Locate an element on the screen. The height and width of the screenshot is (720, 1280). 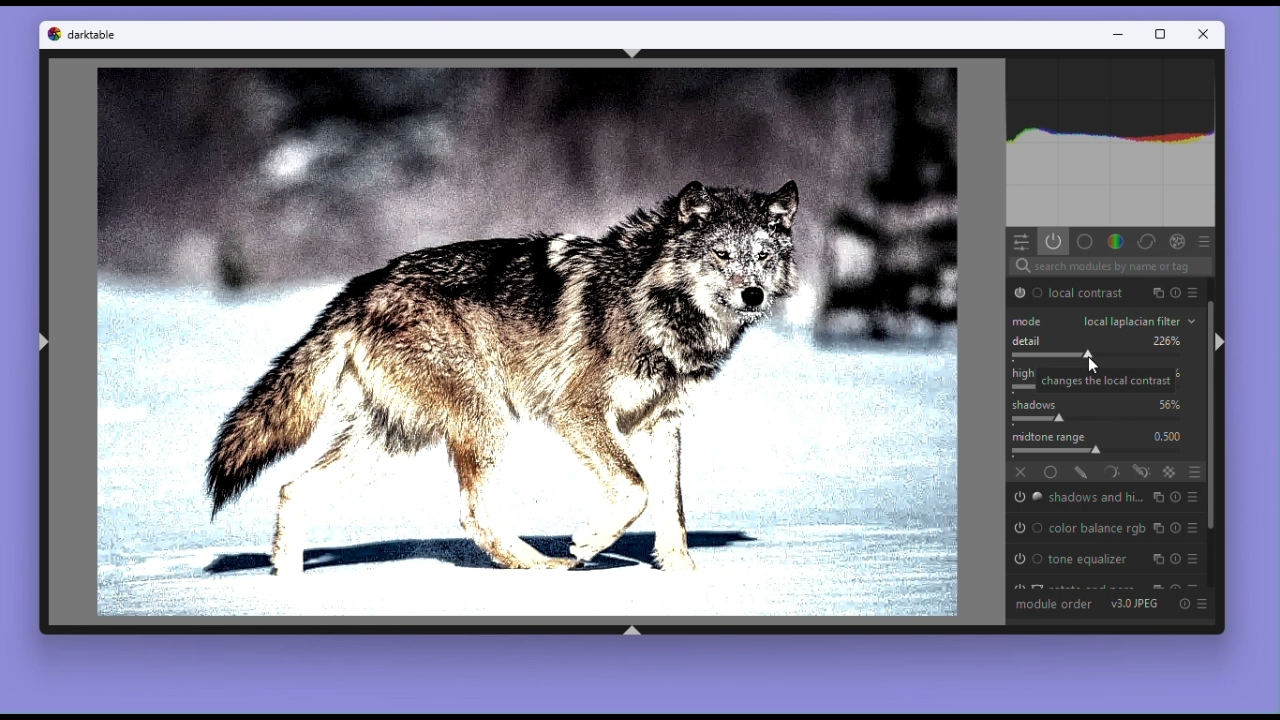
'tone equalizer' is switched off is located at coordinates (1024, 561).